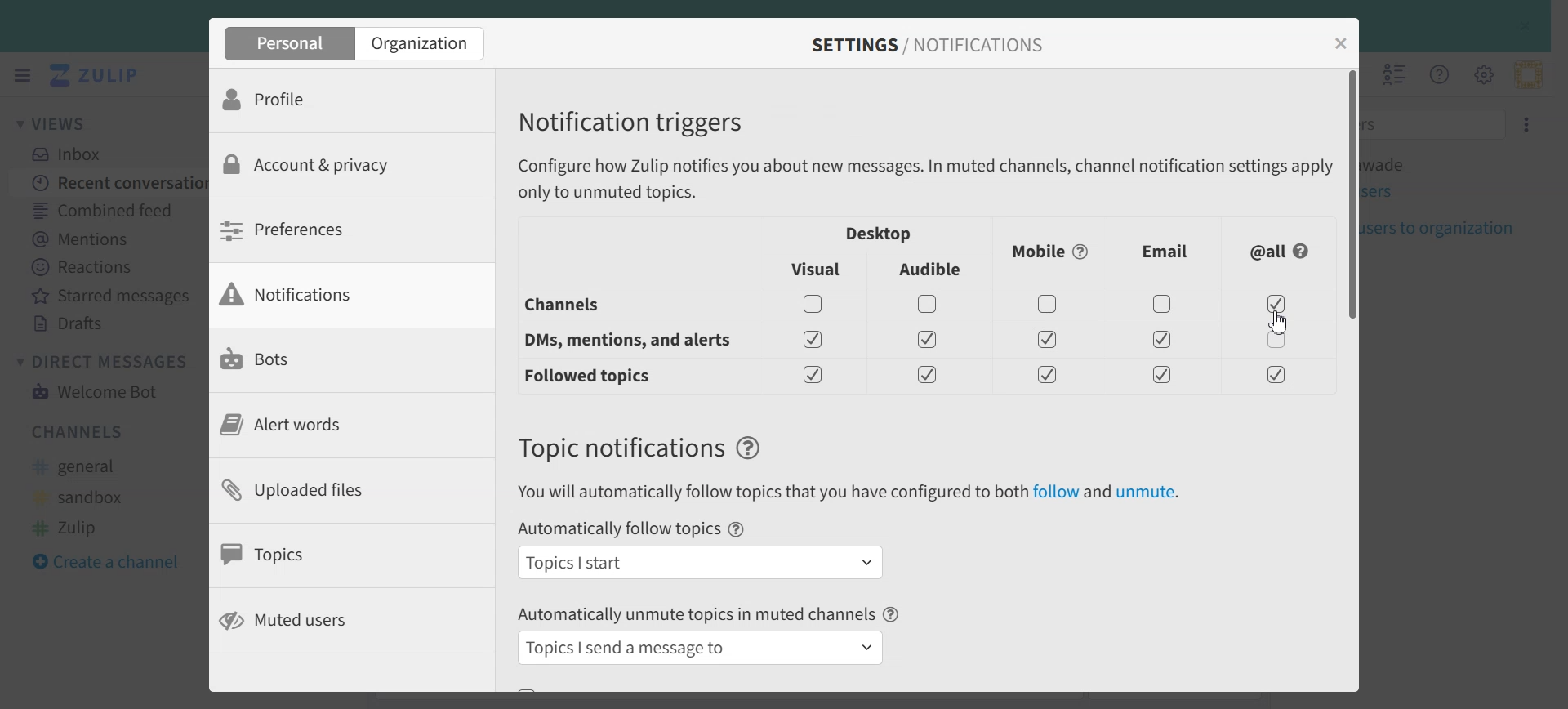  What do you see at coordinates (749, 448) in the screenshot?
I see `Help` at bounding box center [749, 448].